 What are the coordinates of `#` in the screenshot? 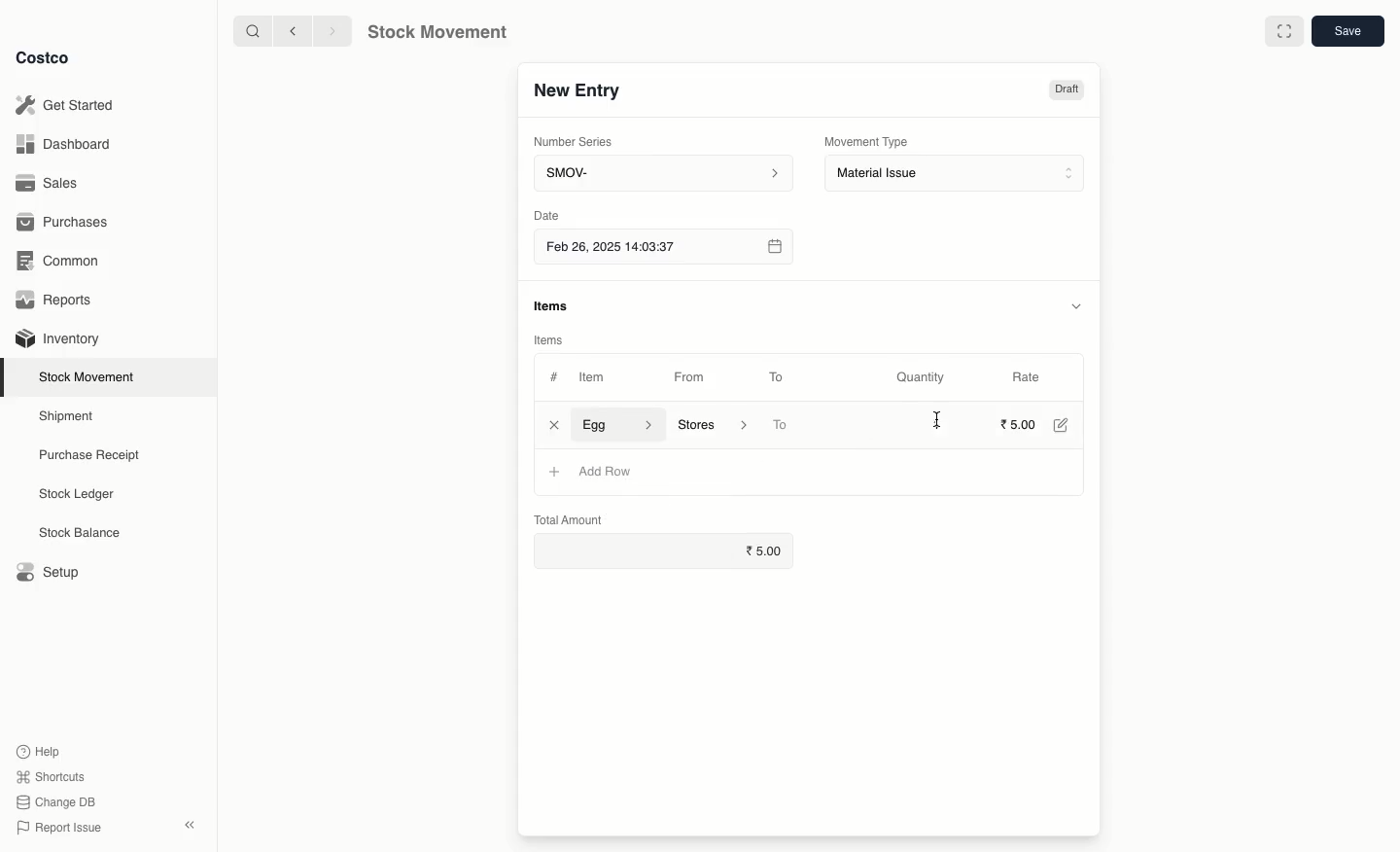 It's located at (554, 377).